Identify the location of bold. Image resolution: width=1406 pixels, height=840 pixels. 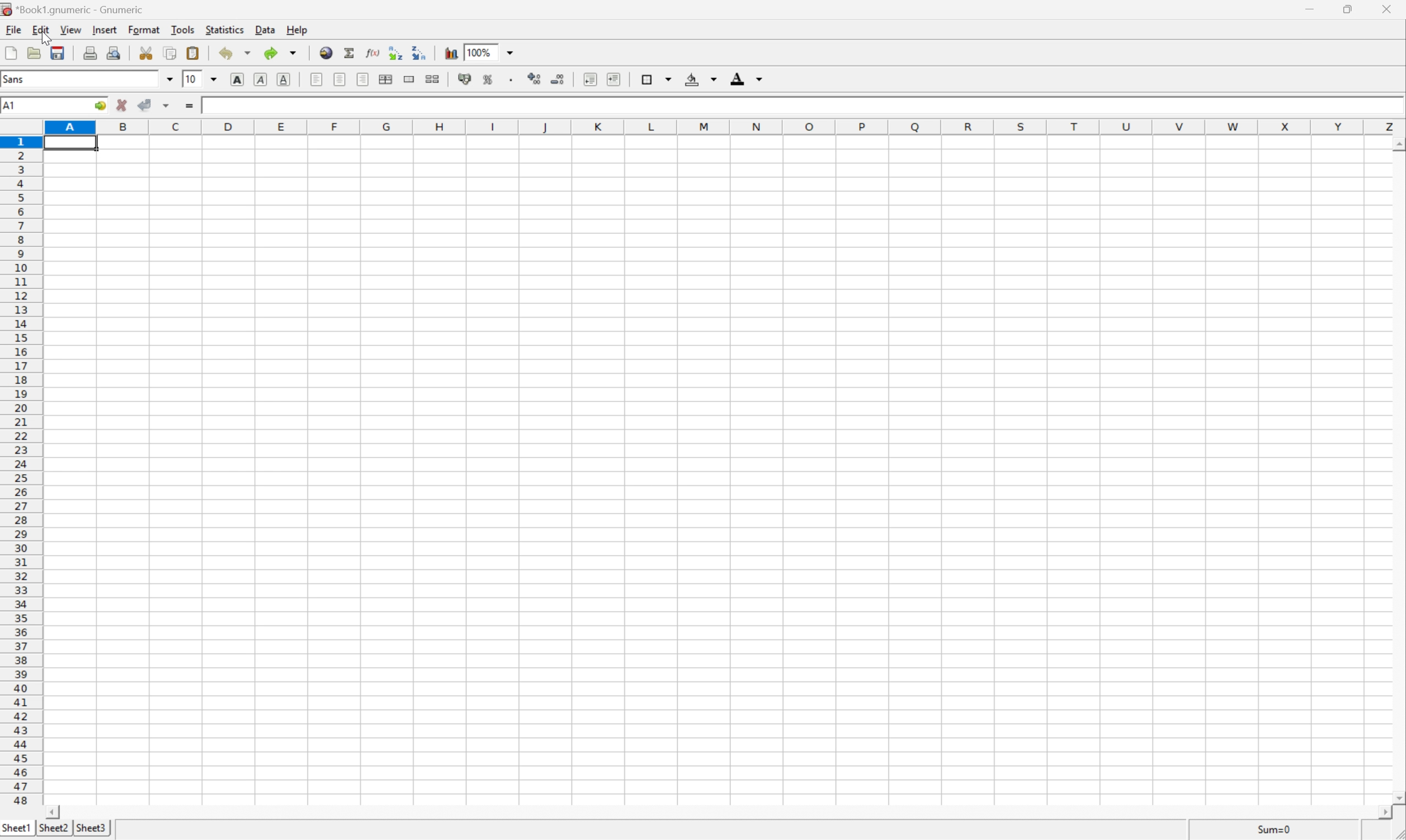
(238, 78).